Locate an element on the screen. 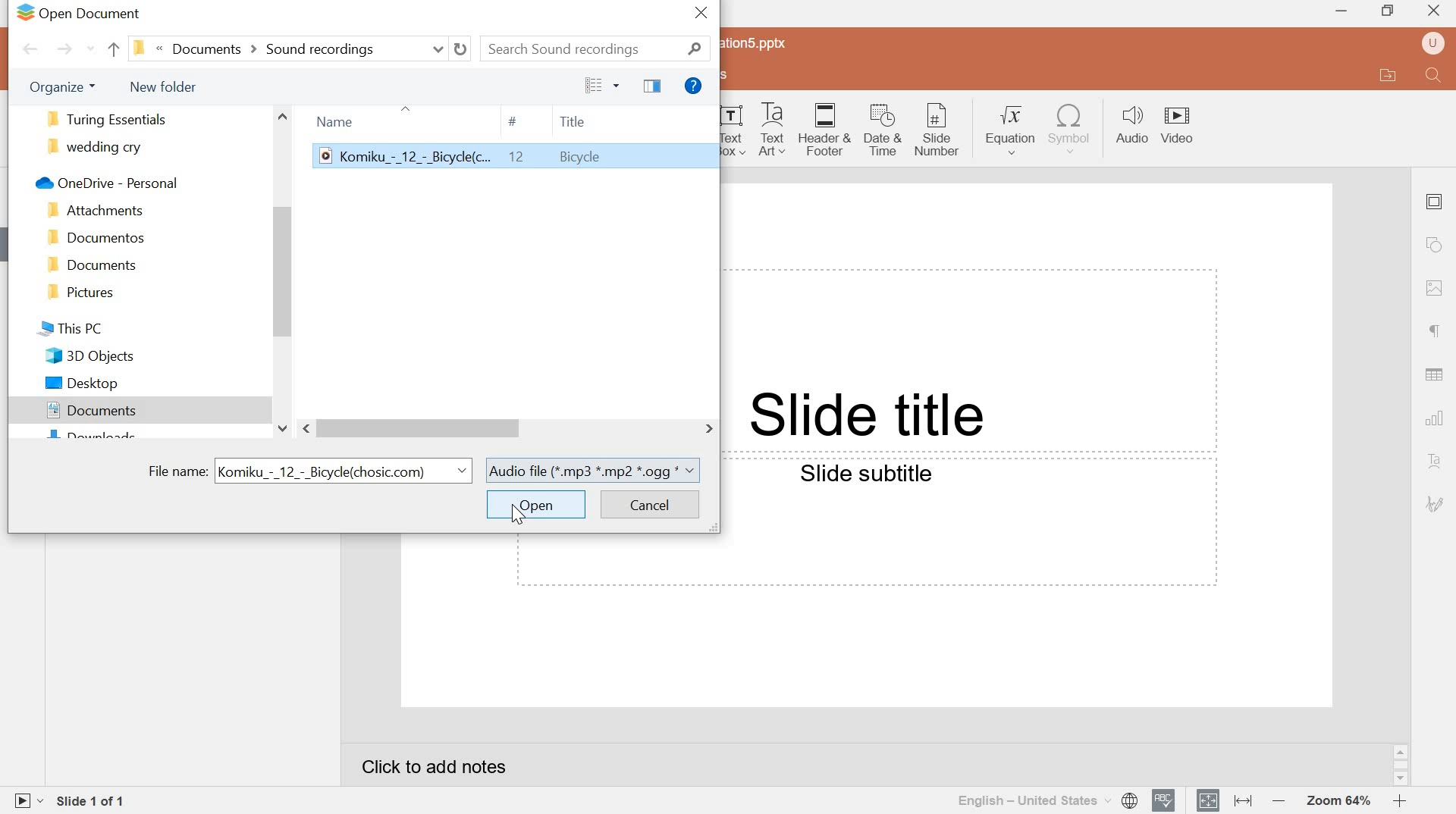 The image size is (1456, 814). turing essentials folder is located at coordinates (112, 120).